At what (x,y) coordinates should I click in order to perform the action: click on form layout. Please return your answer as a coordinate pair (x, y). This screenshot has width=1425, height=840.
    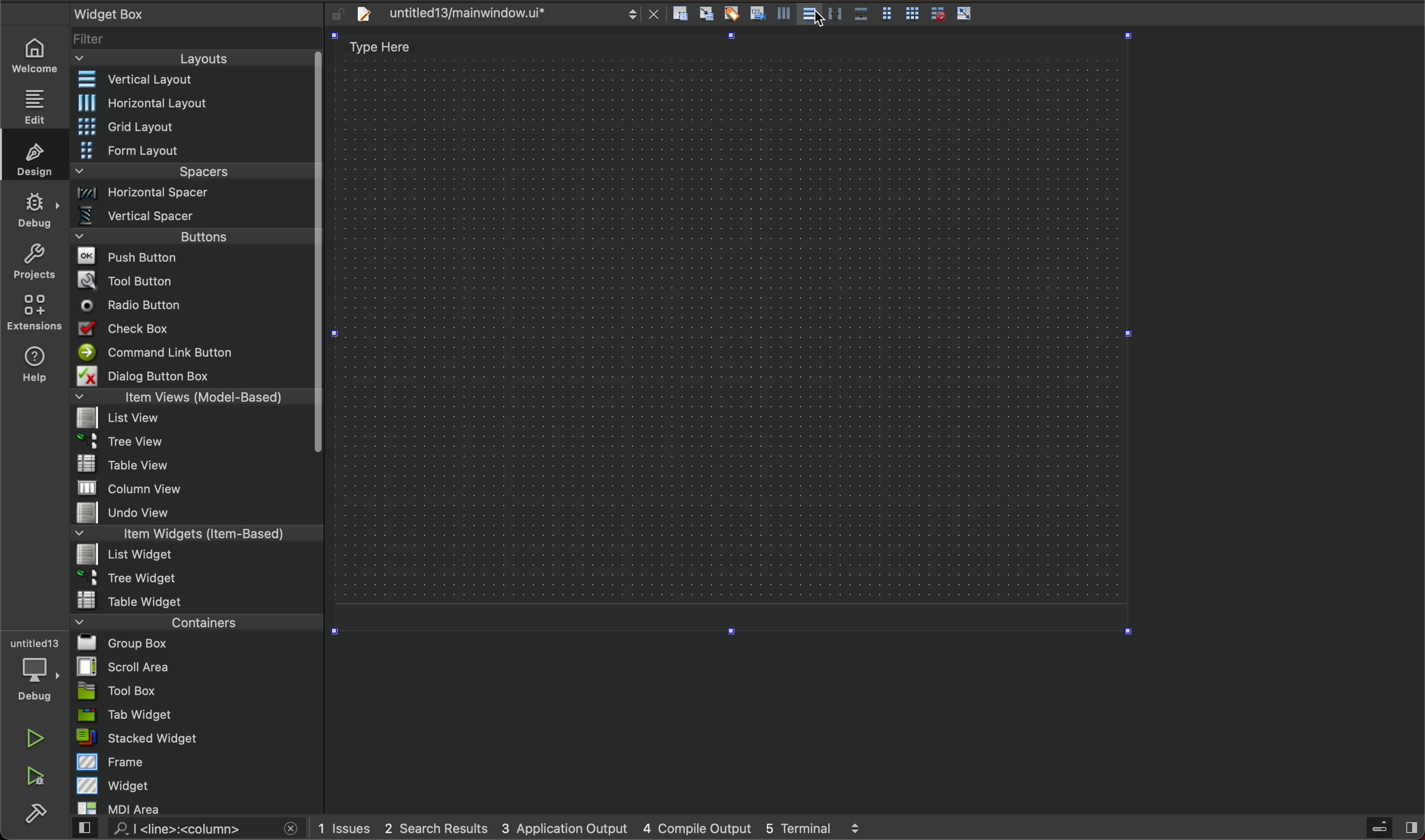
    Looking at the image, I should click on (193, 149).